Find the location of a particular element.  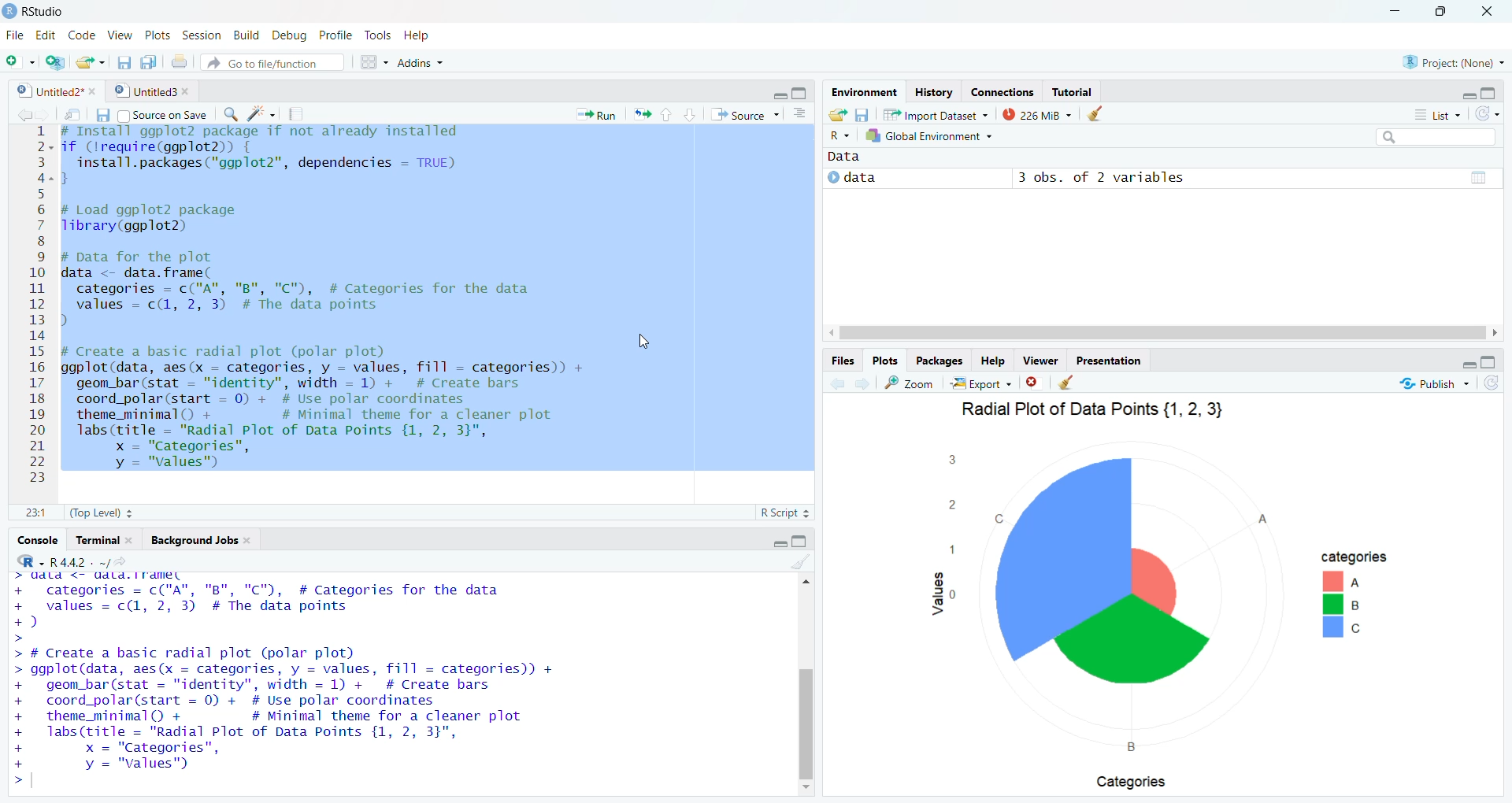

File is located at coordinates (16, 36).